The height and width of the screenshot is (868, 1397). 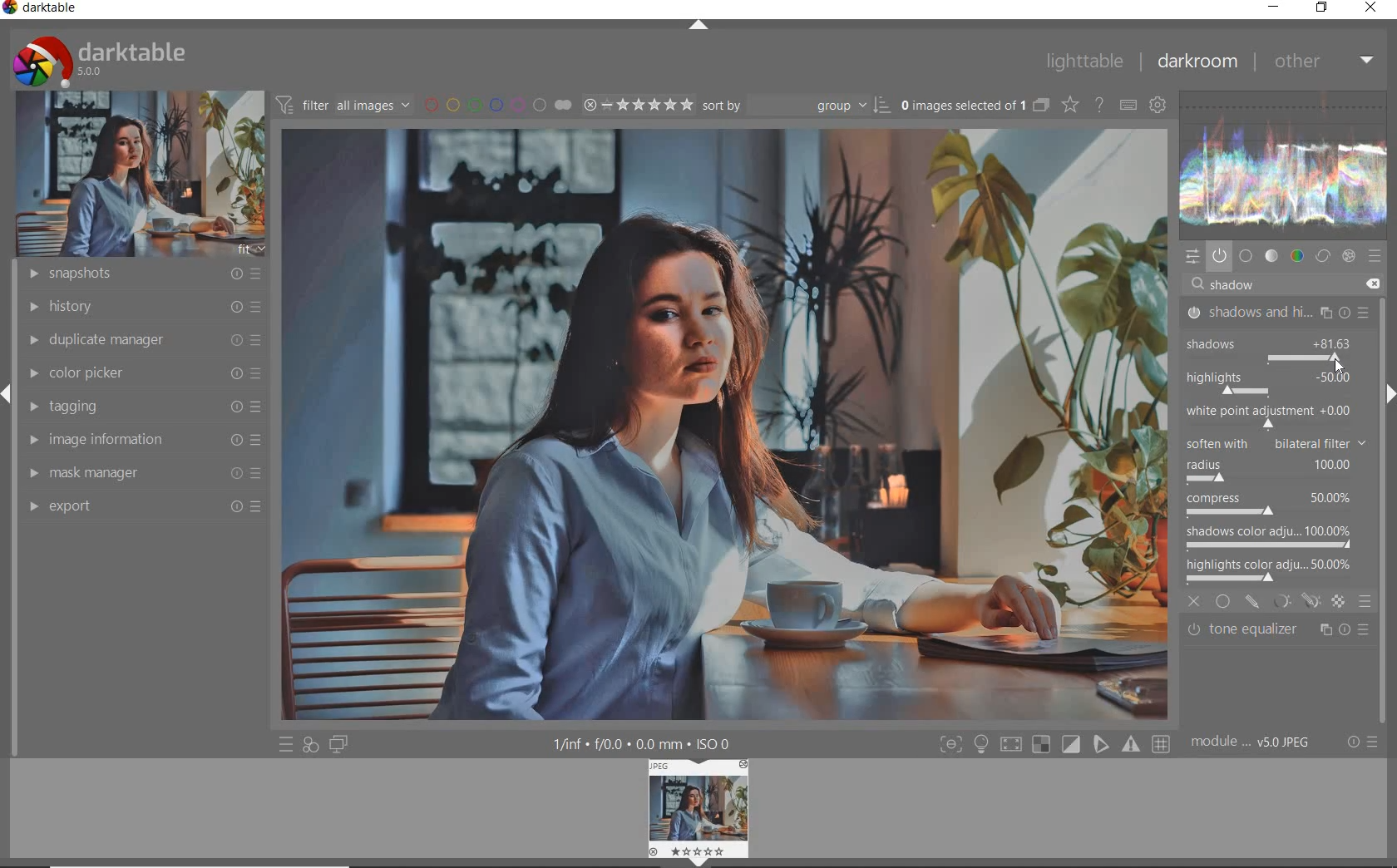 What do you see at coordinates (1278, 633) in the screenshot?
I see `tone equalizer` at bounding box center [1278, 633].